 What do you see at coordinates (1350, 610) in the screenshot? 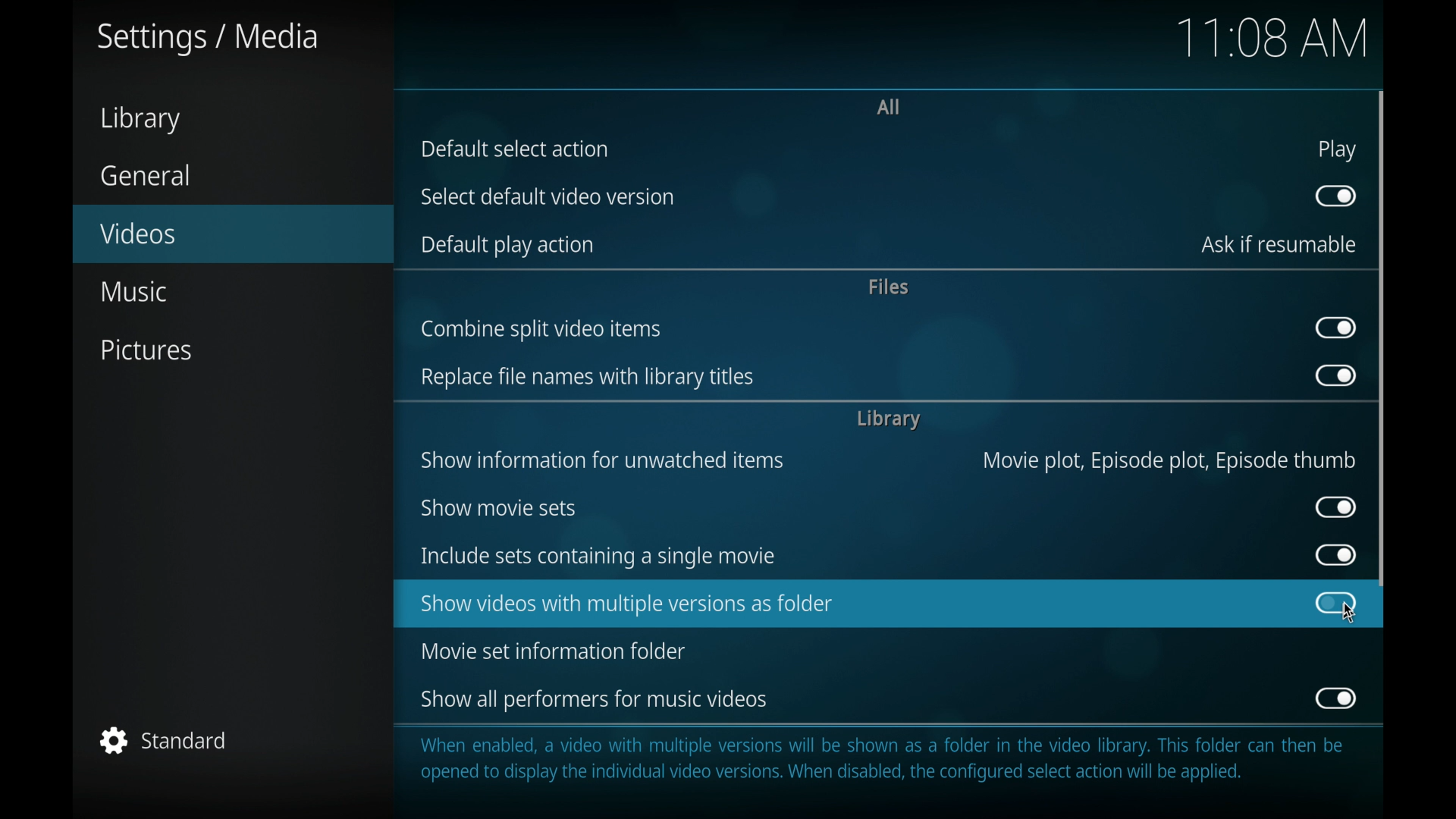
I see `cursor` at bounding box center [1350, 610].